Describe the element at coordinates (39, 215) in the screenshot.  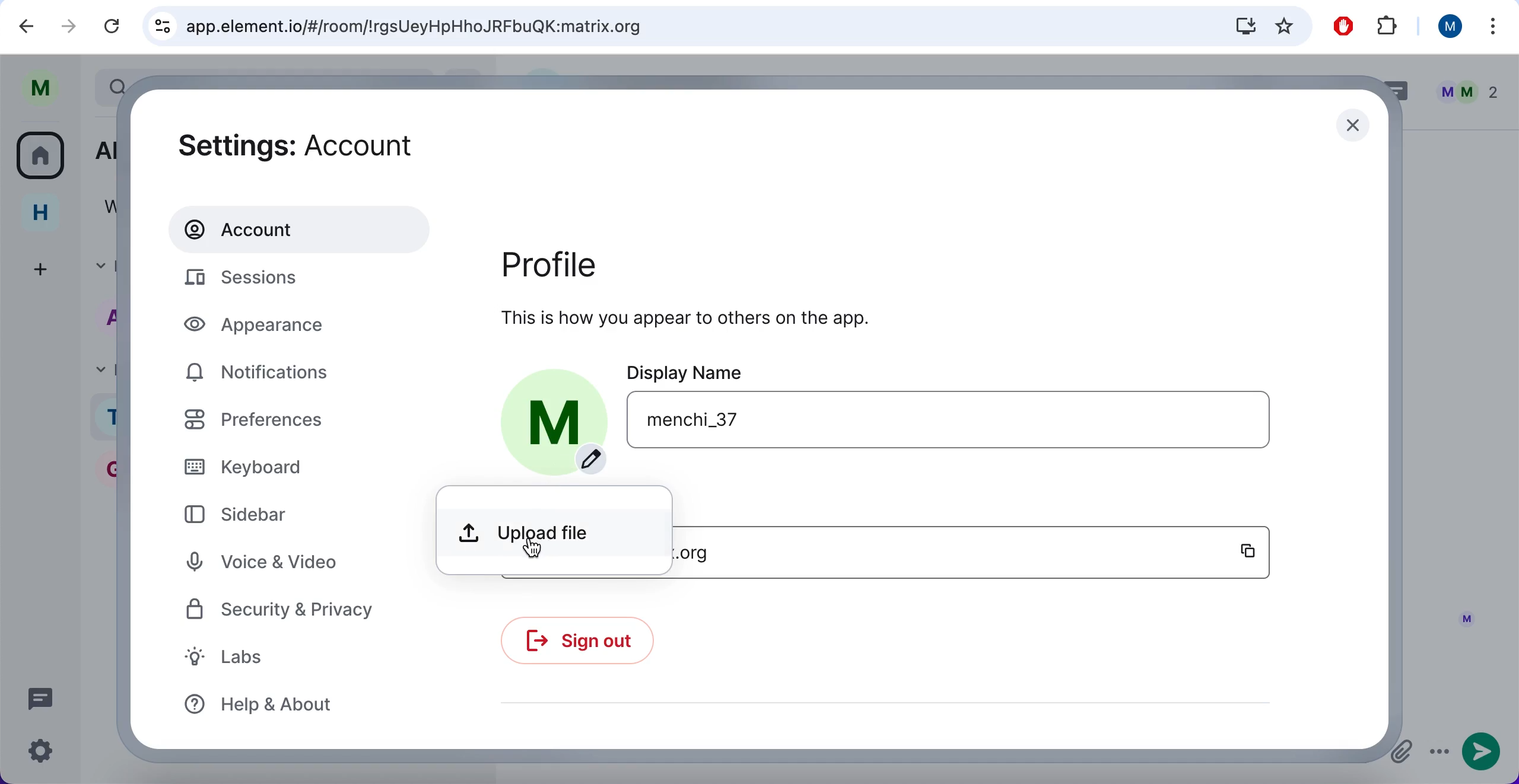
I see `home` at that location.